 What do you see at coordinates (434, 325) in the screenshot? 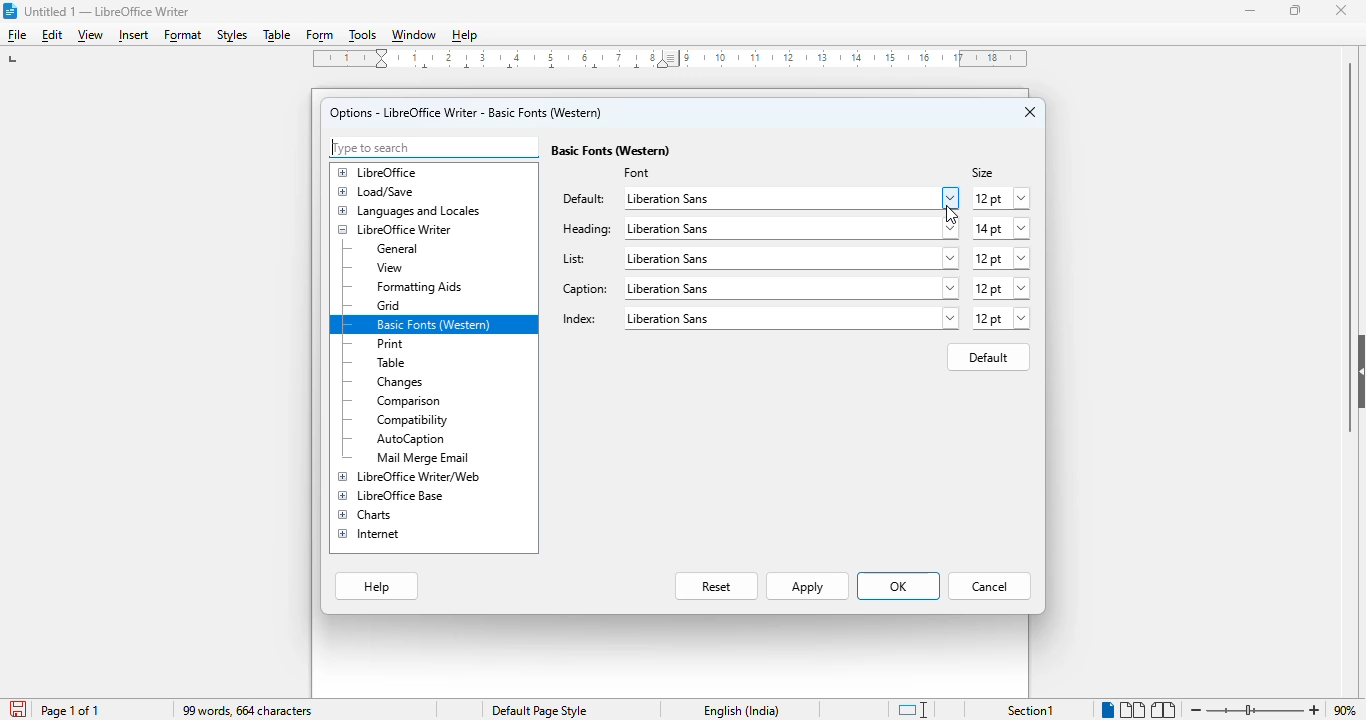
I see `basic fonts (western)` at bounding box center [434, 325].